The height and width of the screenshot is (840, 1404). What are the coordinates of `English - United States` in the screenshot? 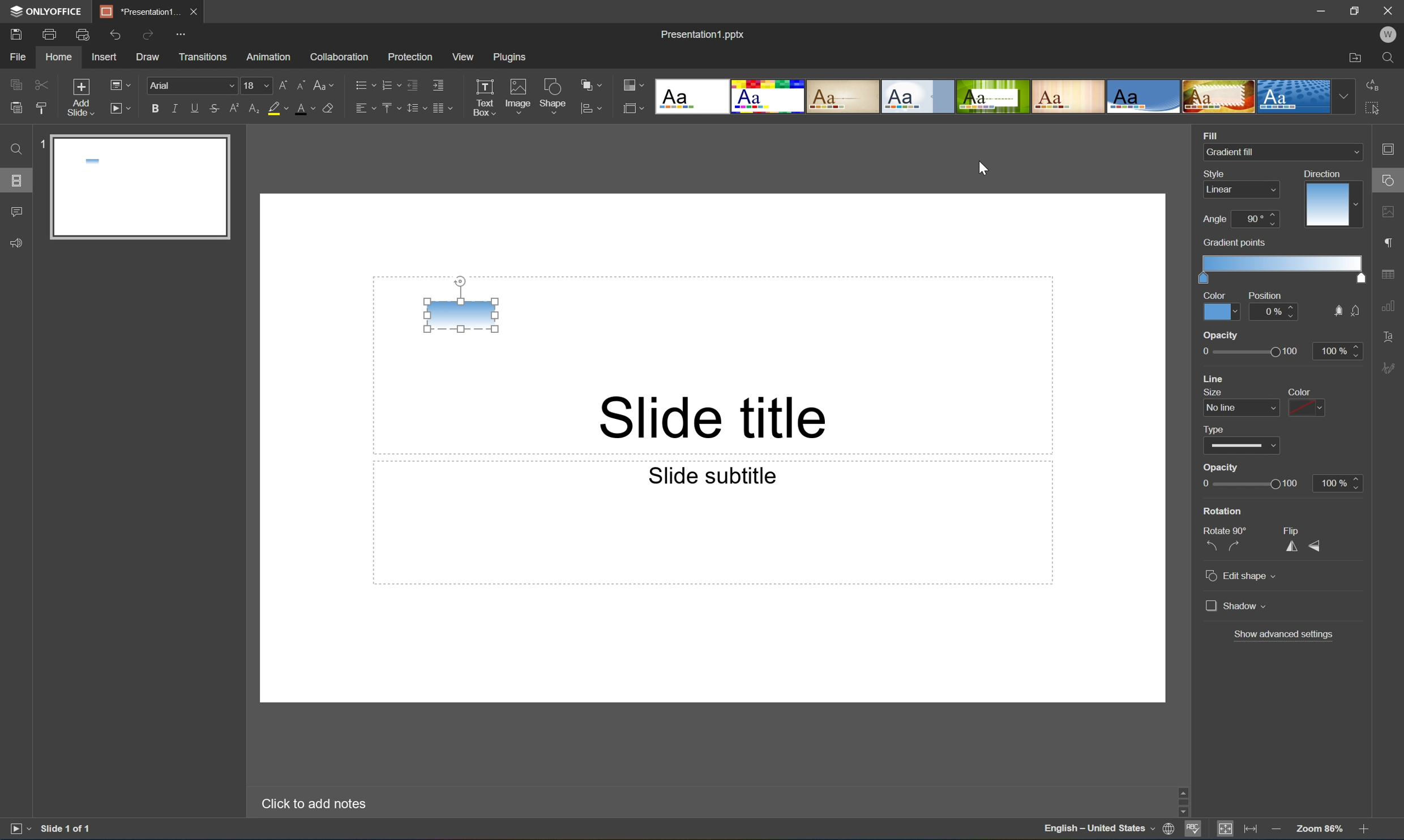 It's located at (1099, 830).